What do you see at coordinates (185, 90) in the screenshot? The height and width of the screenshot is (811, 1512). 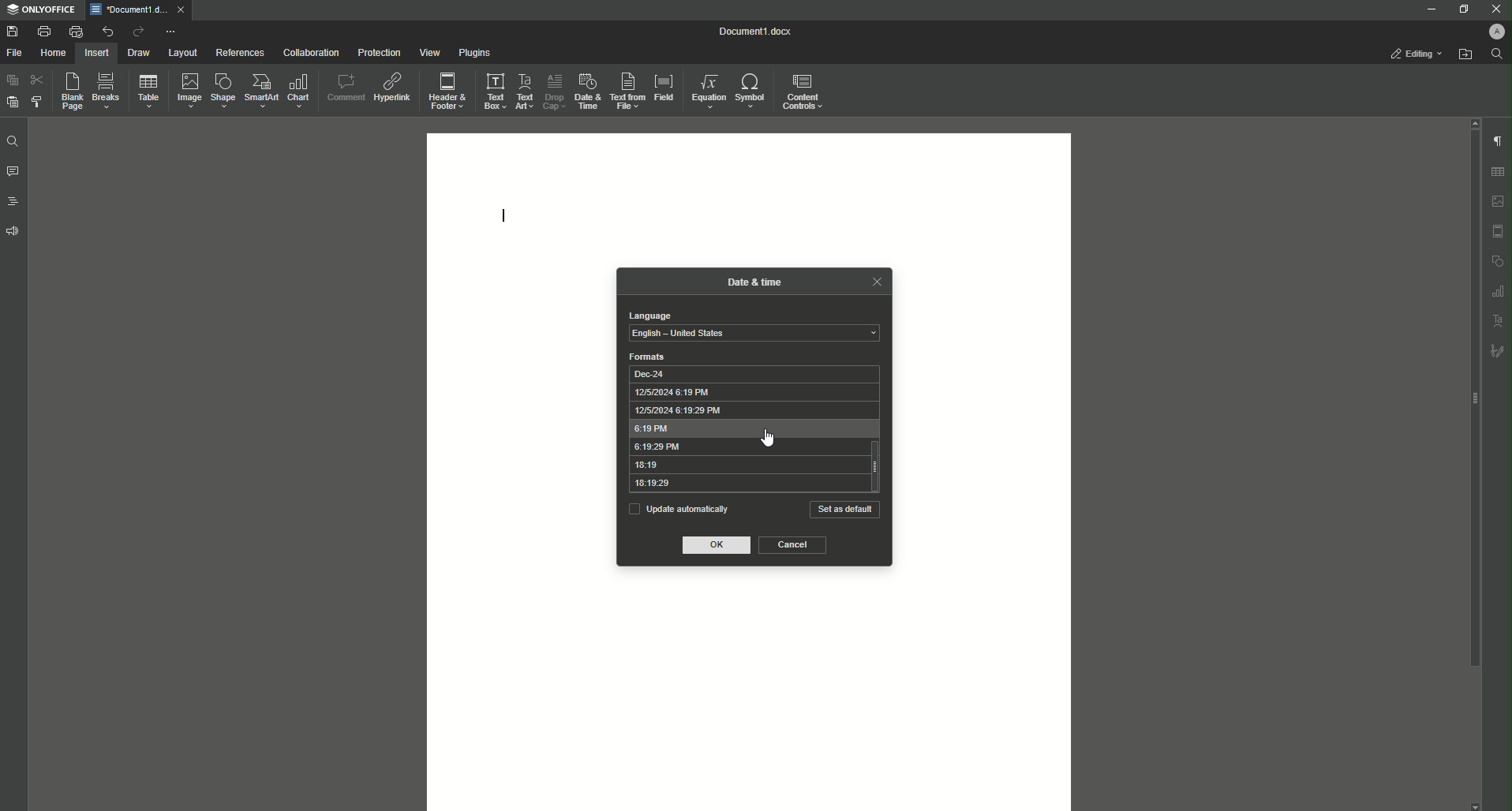 I see `Image` at bounding box center [185, 90].